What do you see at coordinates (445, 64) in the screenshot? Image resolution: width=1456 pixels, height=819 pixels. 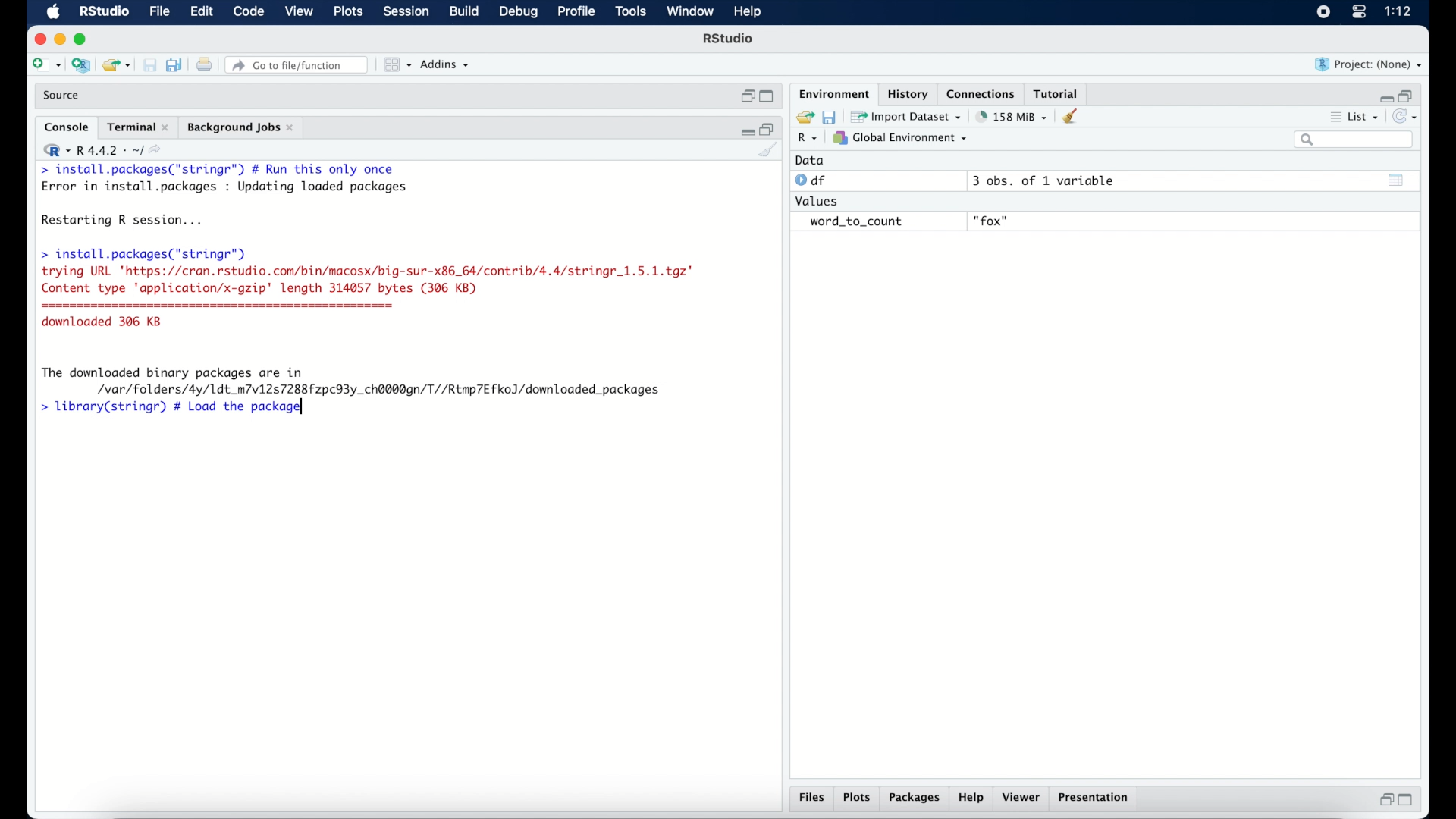 I see `addins` at bounding box center [445, 64].